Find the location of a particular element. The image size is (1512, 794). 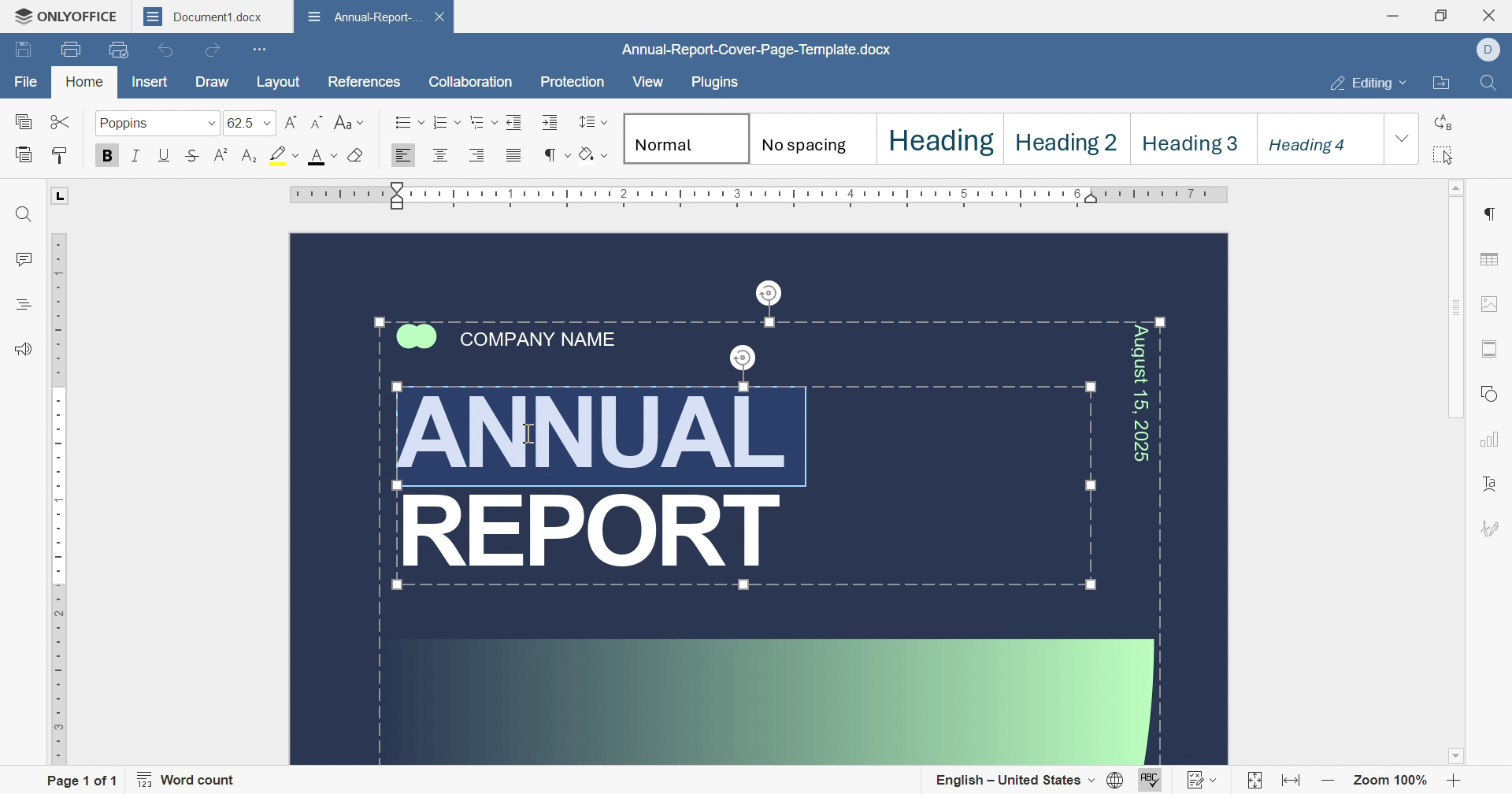

spell checking is located at coordinates (1151, 781).